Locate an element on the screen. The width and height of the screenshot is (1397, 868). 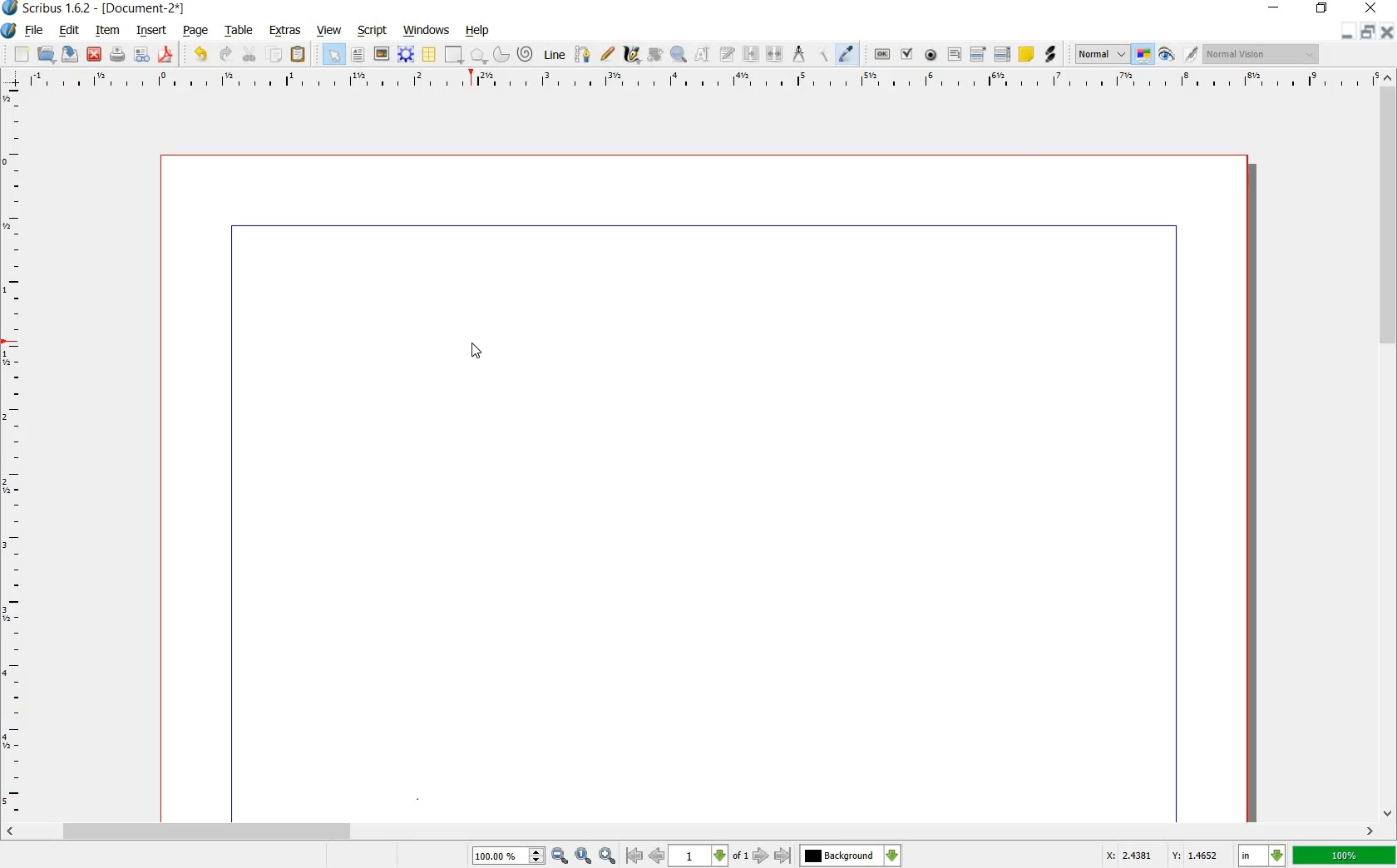
MEASUREMENTS is located at coordinates (798, 54).